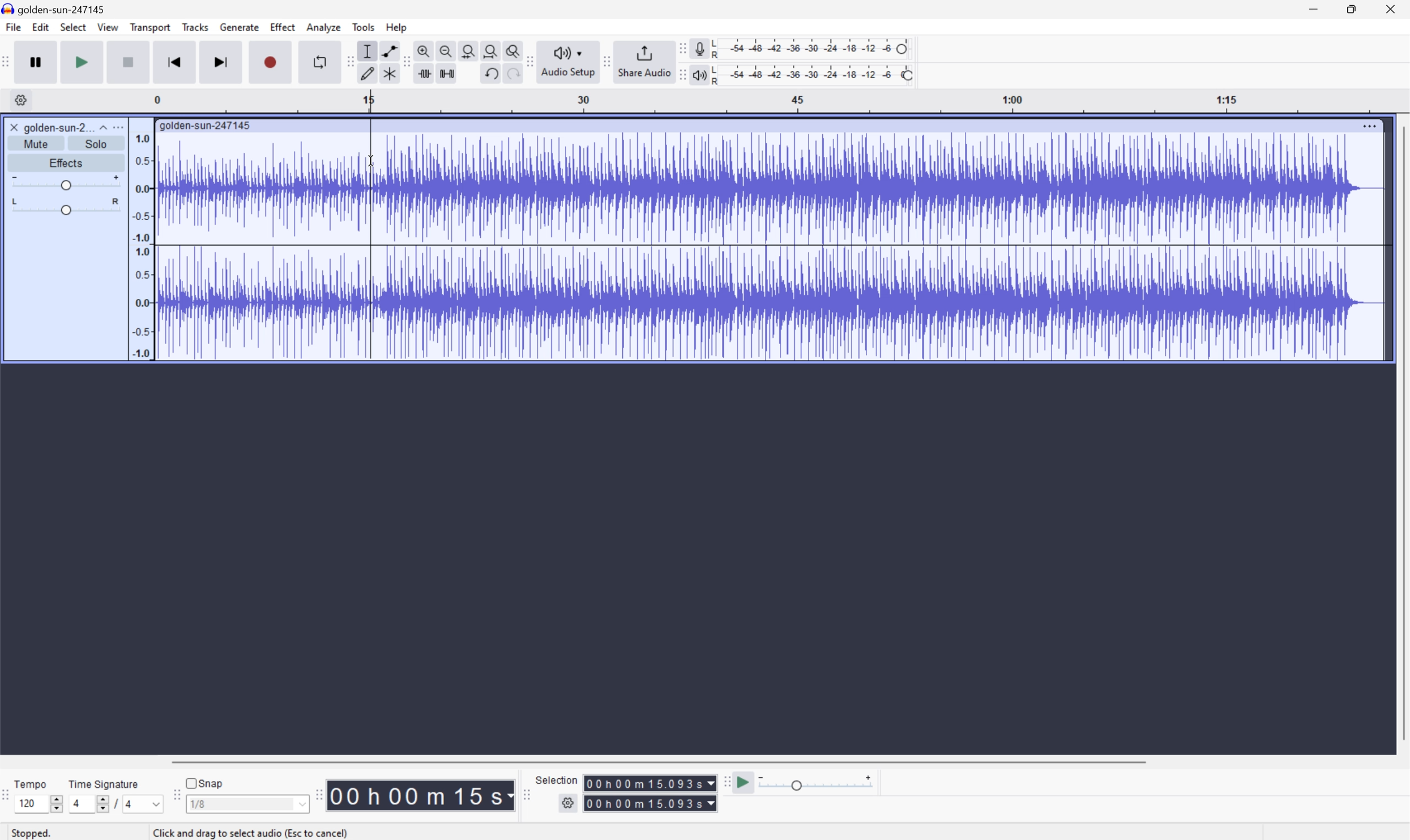  What do you see at coordinates (283, 27) in the screenshot?
I see `Effect` at bounding box center [283, 27].